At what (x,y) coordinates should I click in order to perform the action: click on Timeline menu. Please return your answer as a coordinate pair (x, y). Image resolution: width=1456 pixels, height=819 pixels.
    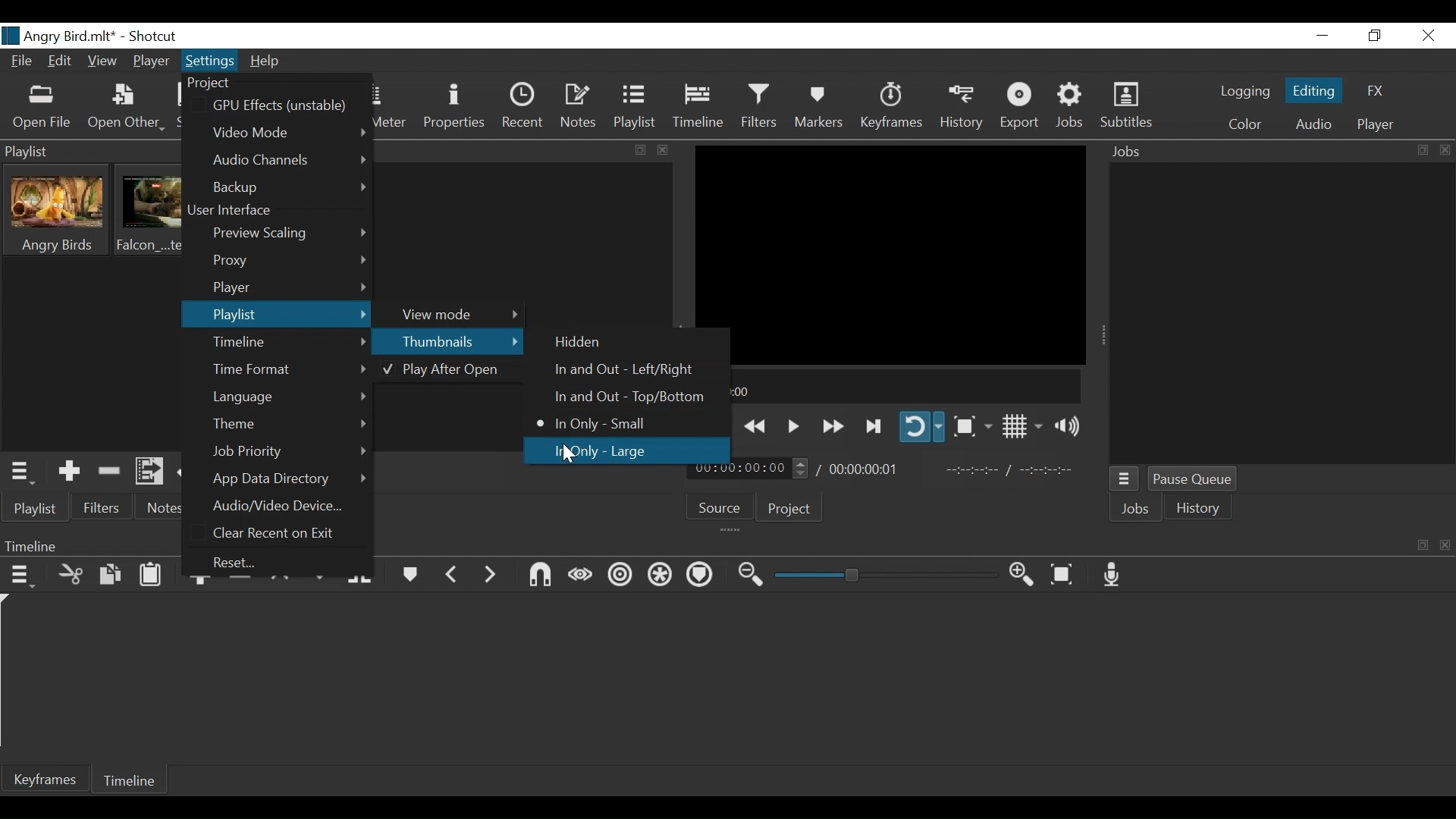
    Looking at the image, I should click on (24, 578).